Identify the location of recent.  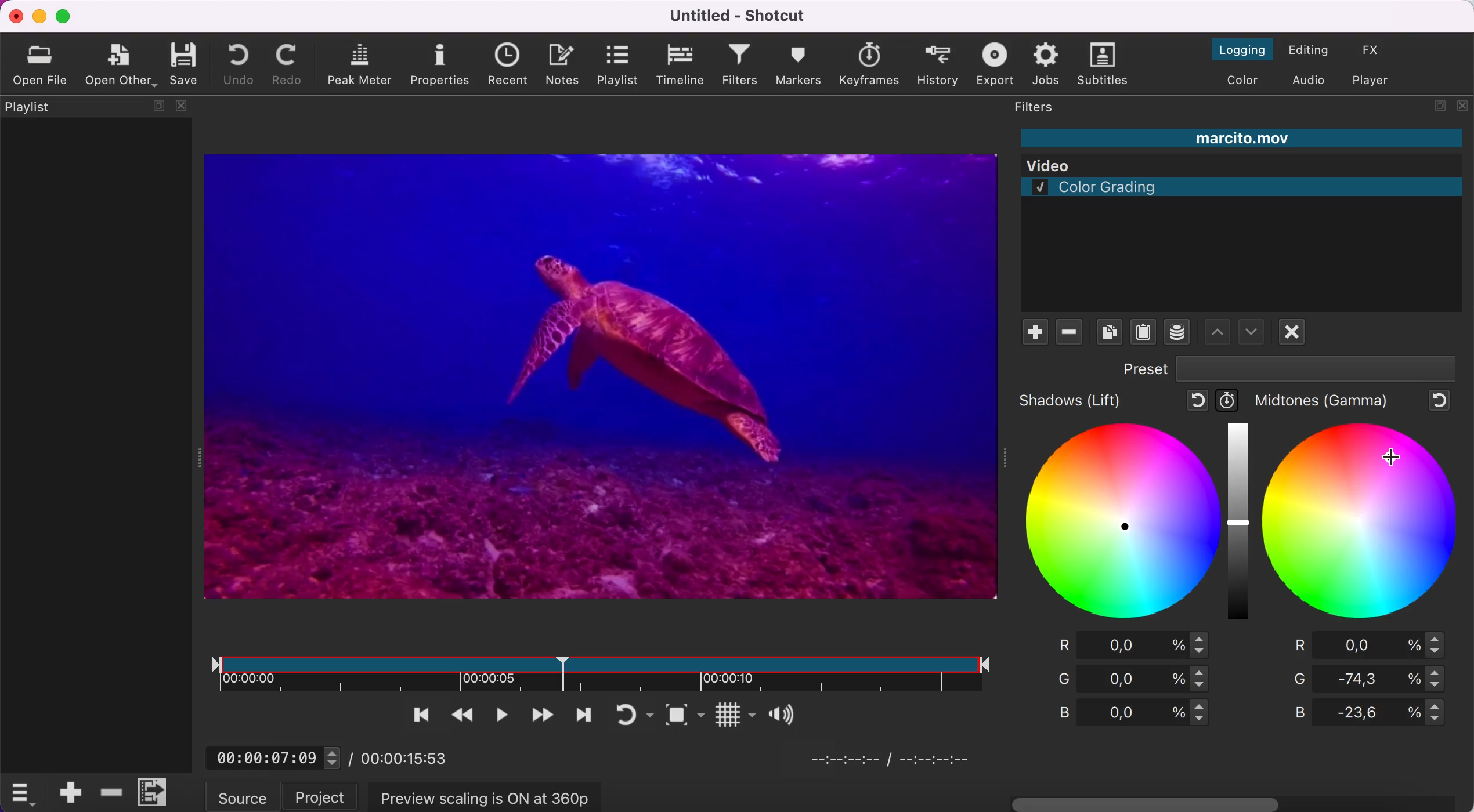
(507, 66).